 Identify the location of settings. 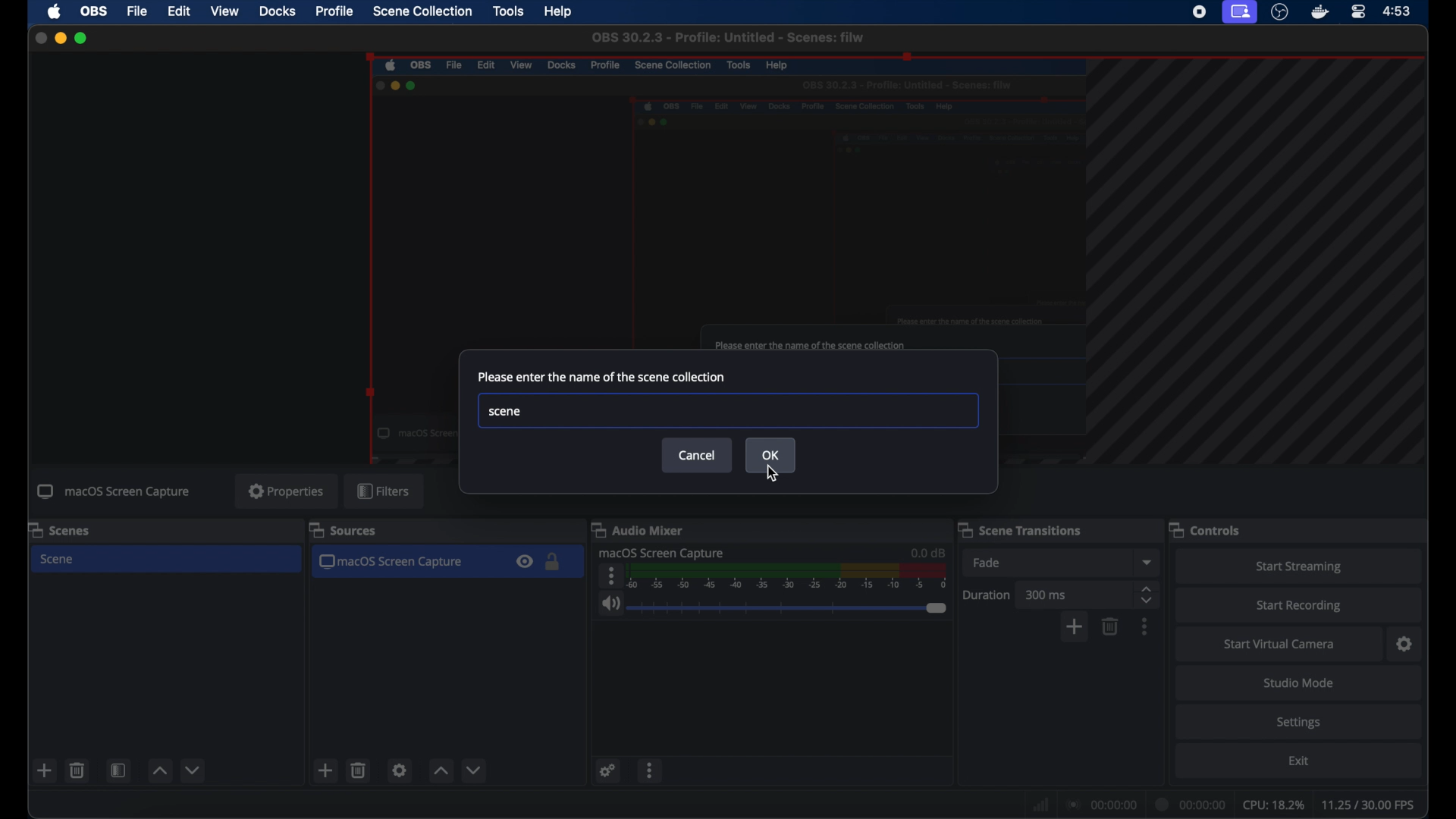
(400, 770).